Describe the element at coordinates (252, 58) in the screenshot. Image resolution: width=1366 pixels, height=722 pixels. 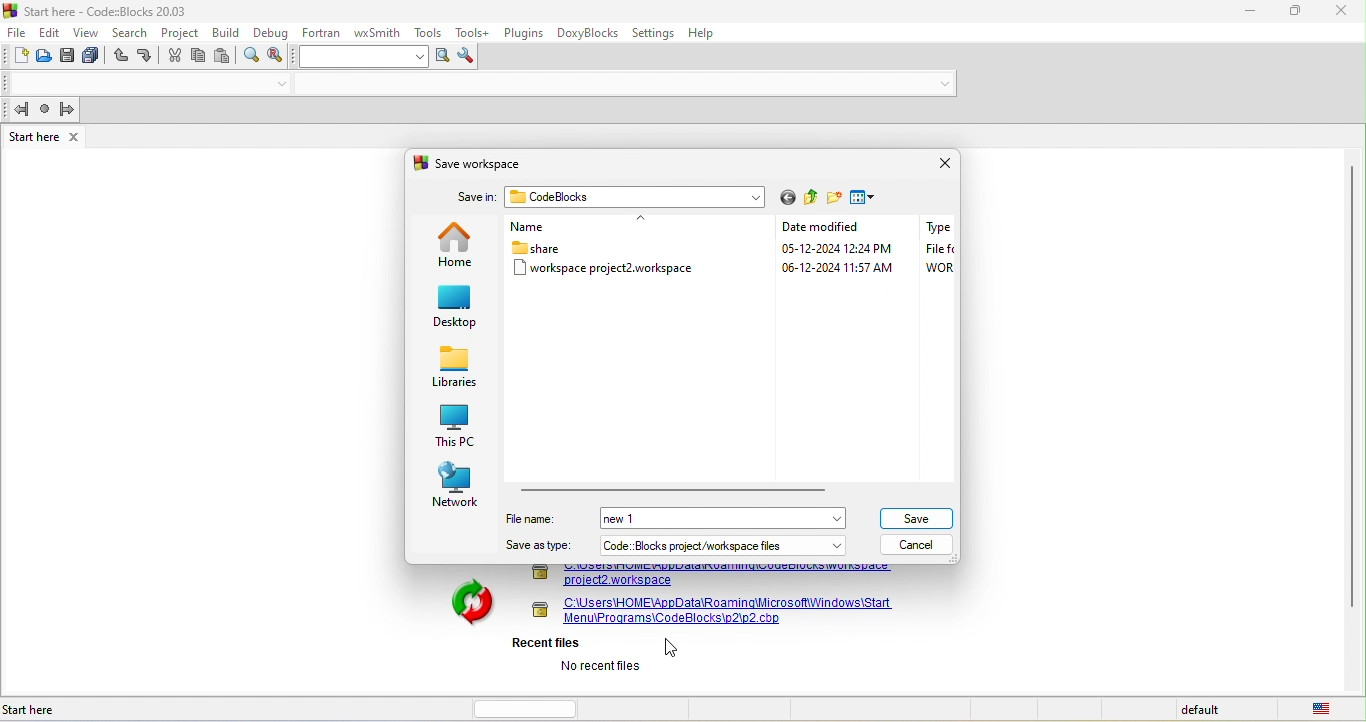
I see `find` at that location.